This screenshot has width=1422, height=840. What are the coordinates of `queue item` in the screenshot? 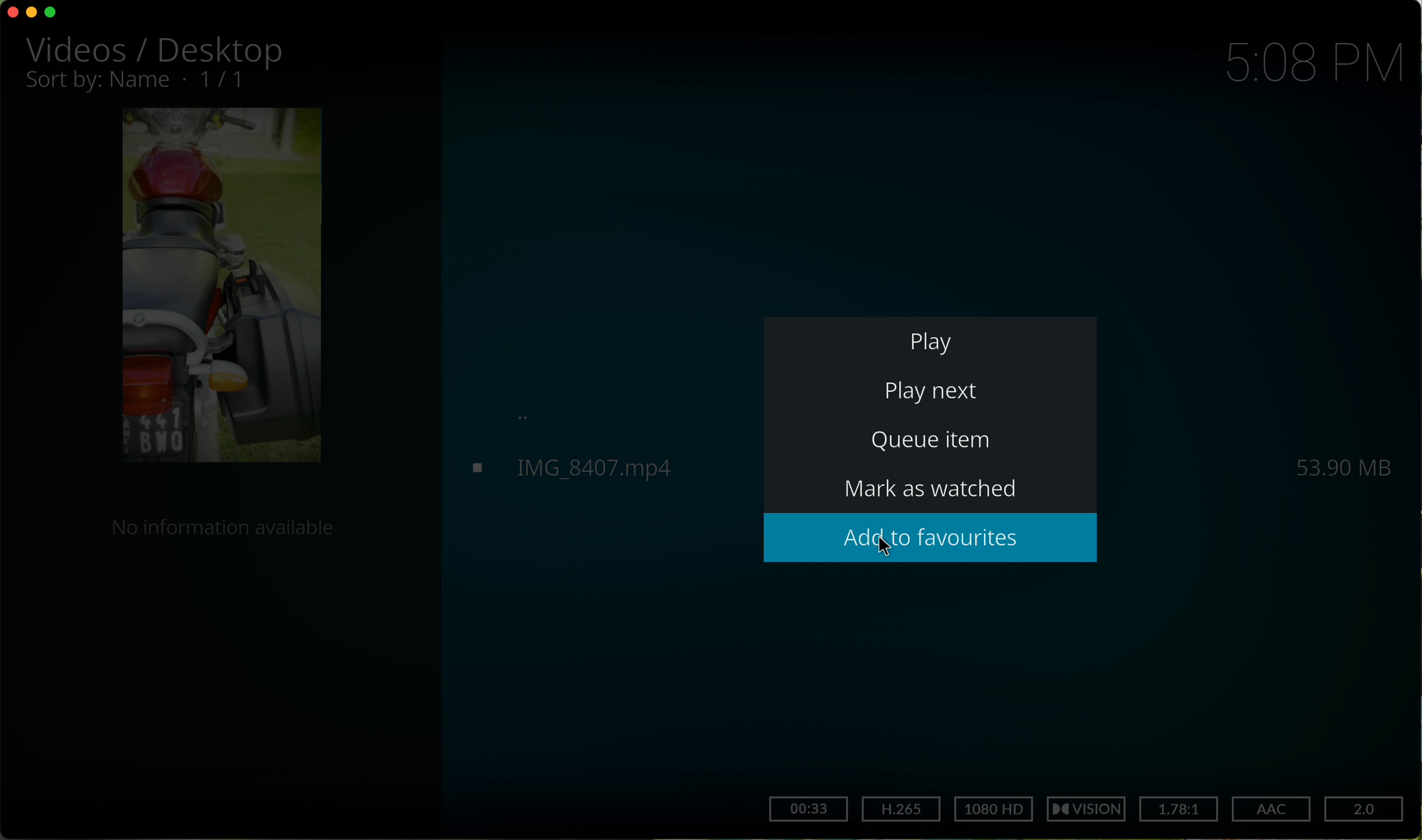 It's located at (934, 446).